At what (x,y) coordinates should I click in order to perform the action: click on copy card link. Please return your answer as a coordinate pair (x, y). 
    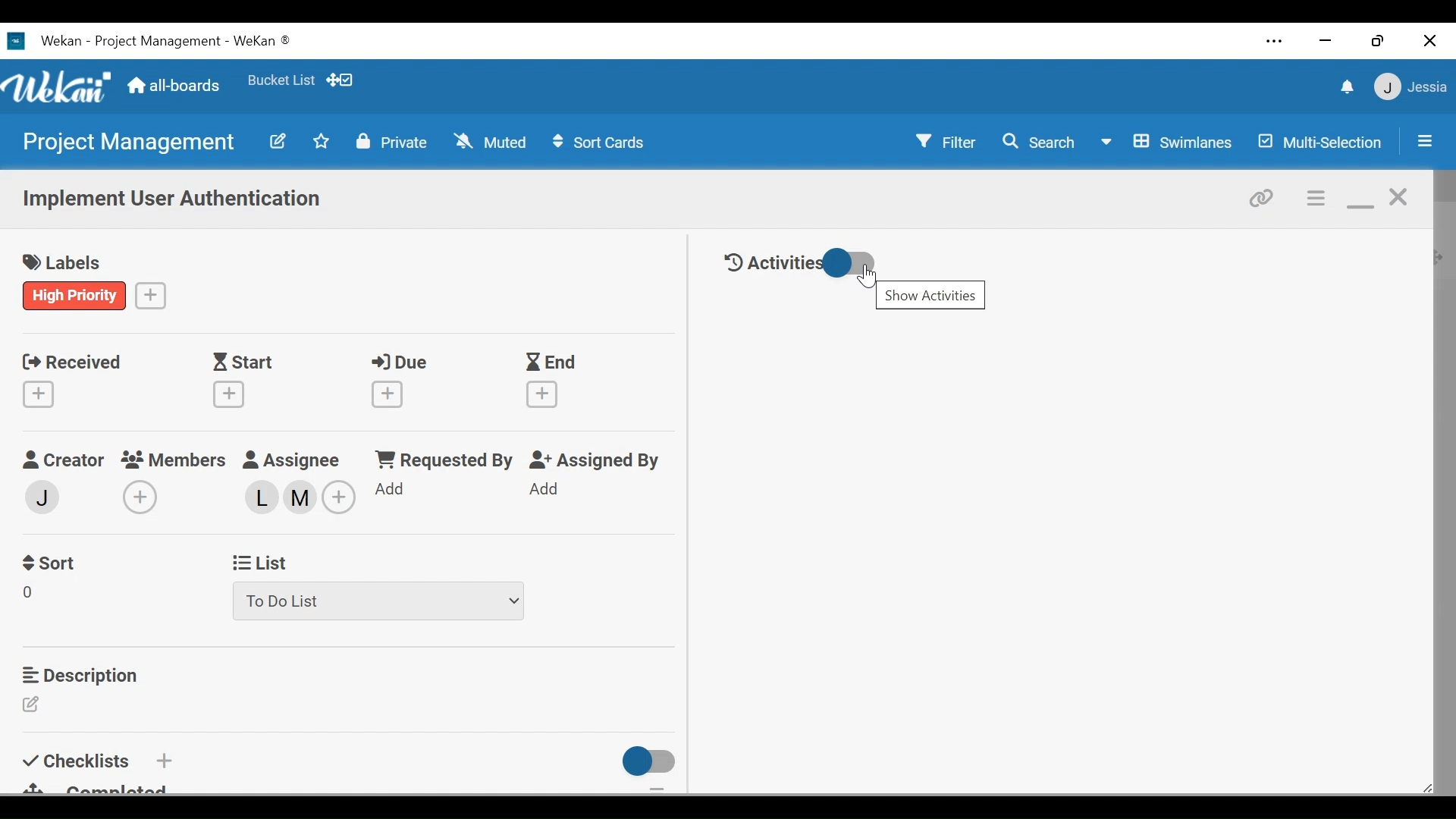
    Looking at the image, I should click on (1258, 196).